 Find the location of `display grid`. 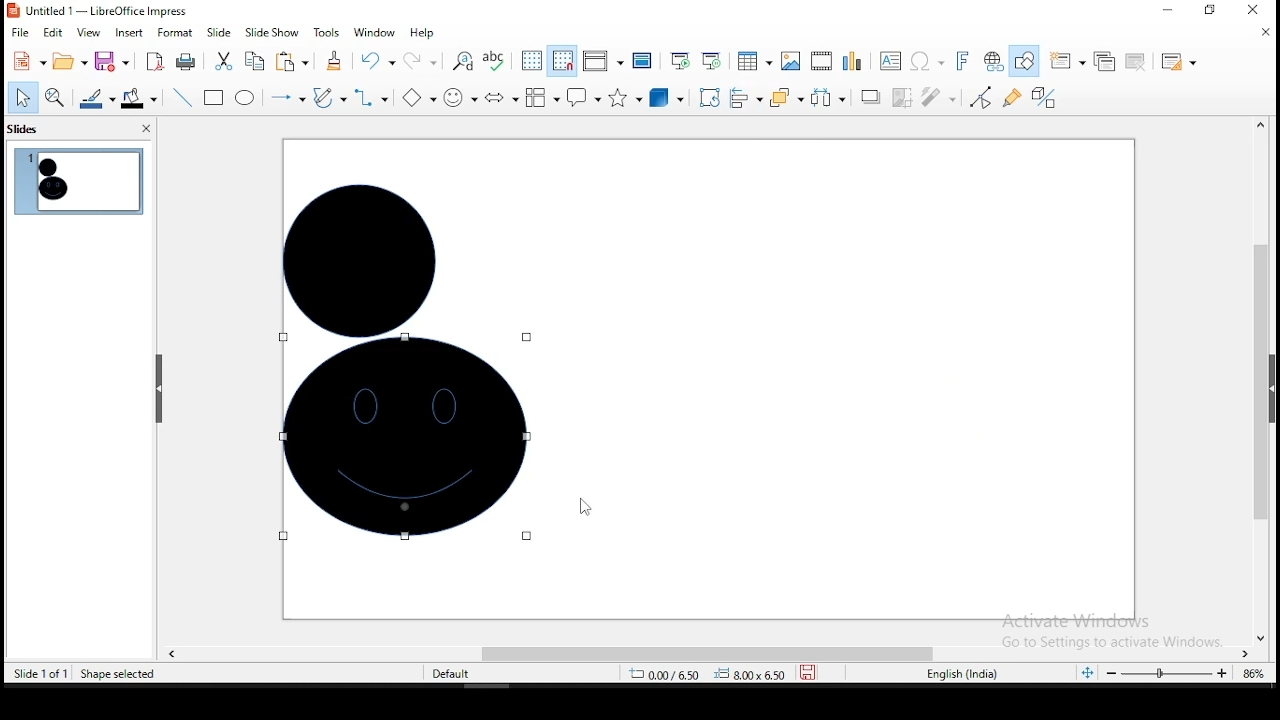

display grid is located at coordinates (532, 62).